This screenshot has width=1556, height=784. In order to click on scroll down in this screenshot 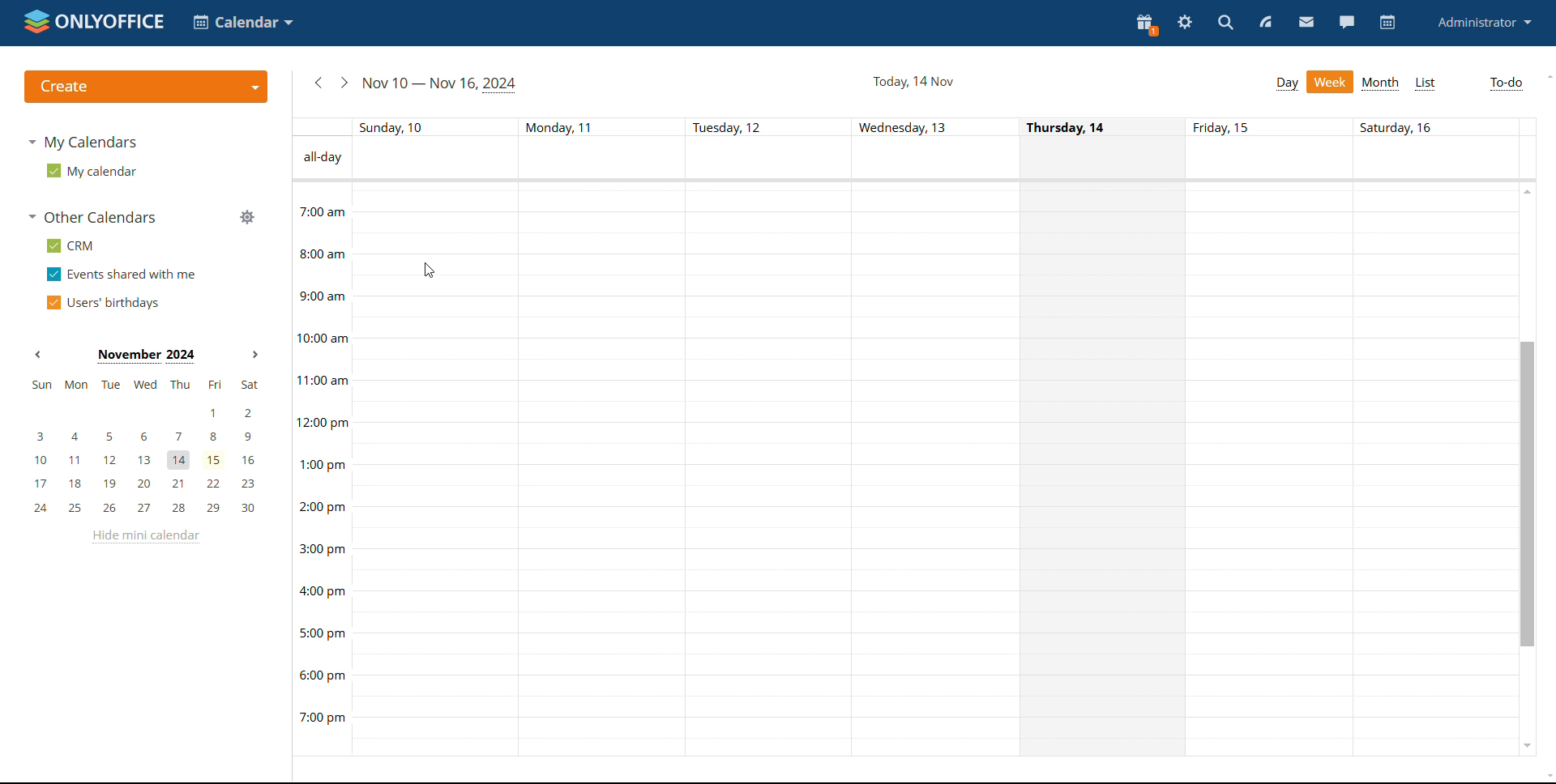, I will do `click(1526, 748)`.